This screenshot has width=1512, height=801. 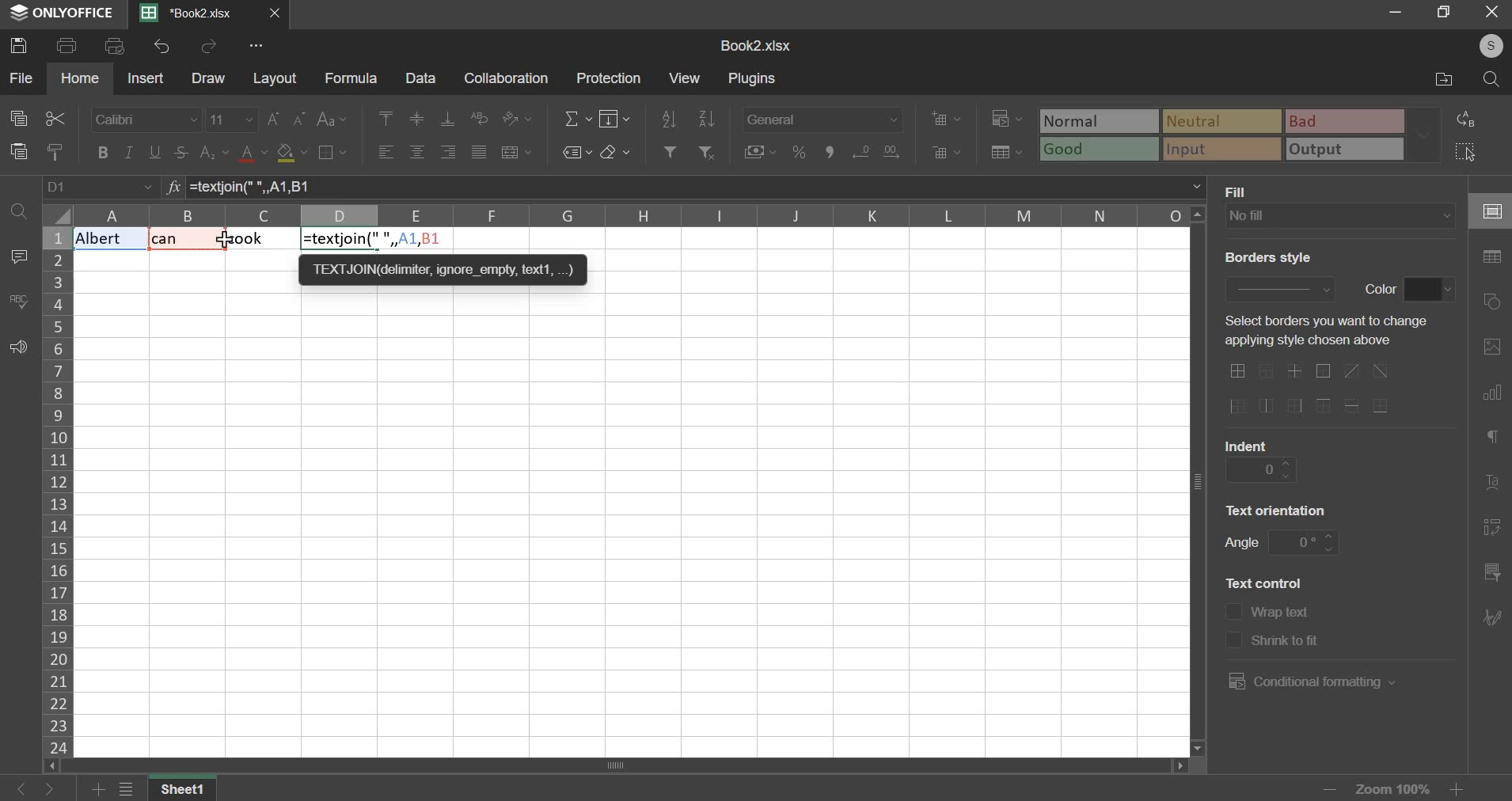 What do you see at coordinates (1320, 332) in the screenshot?
I see `text` at bounding box center [1320, 332].